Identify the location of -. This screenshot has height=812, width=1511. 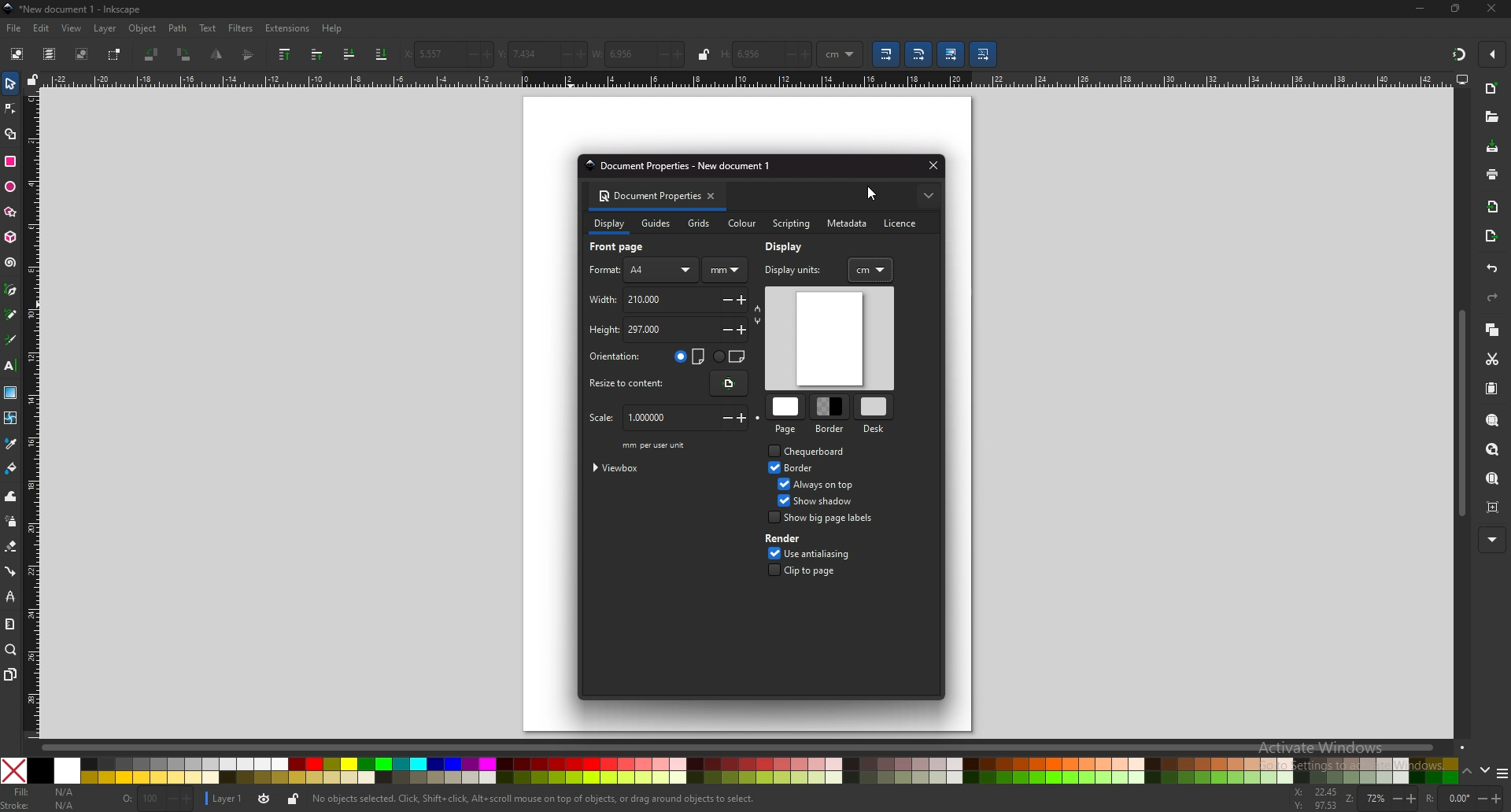
(1391, 798).